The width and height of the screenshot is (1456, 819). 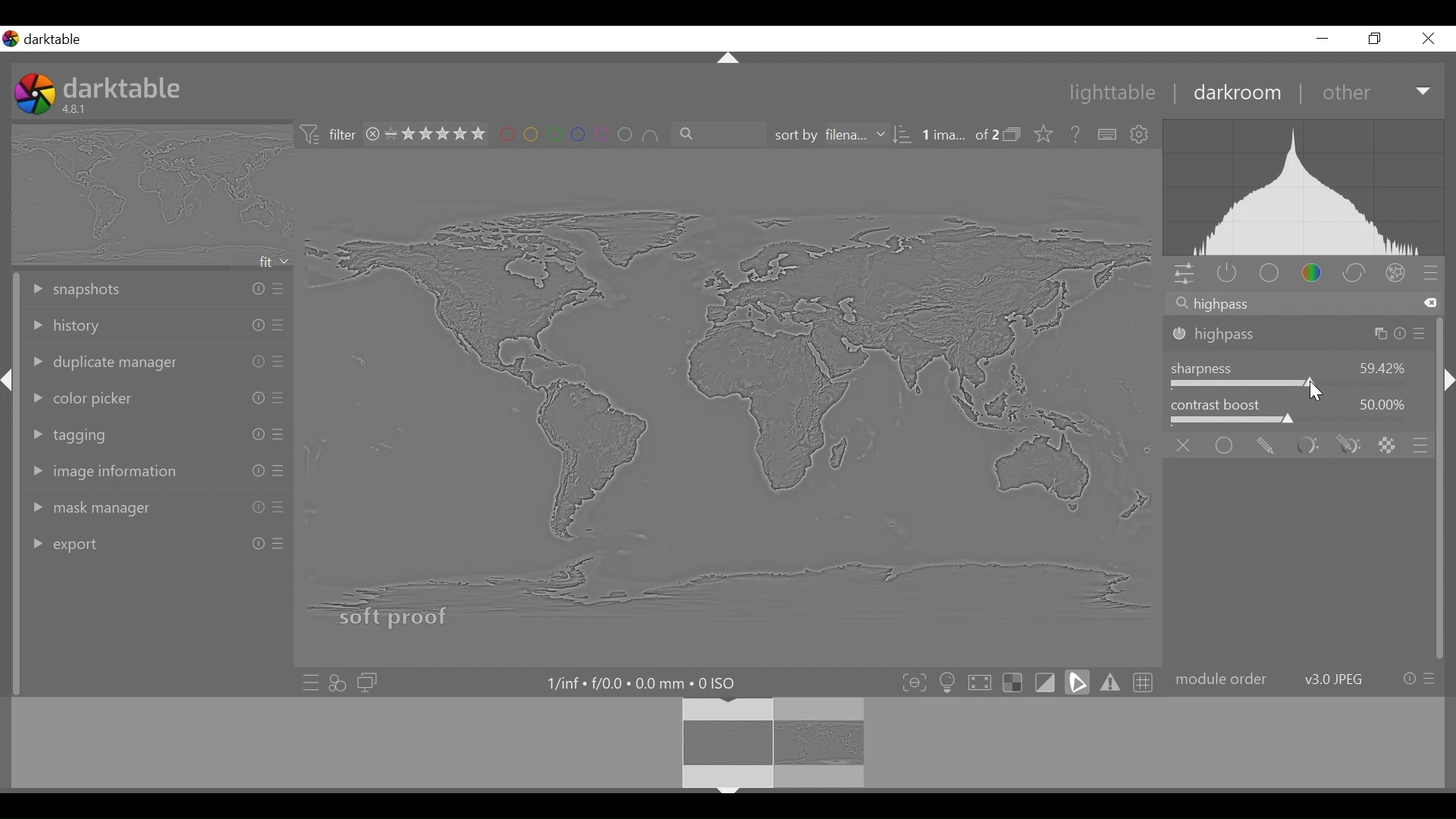 What do you see at coordinates (1425, 93) in the screenshot?
I see `Expand` at bounding box center [1425, 93].